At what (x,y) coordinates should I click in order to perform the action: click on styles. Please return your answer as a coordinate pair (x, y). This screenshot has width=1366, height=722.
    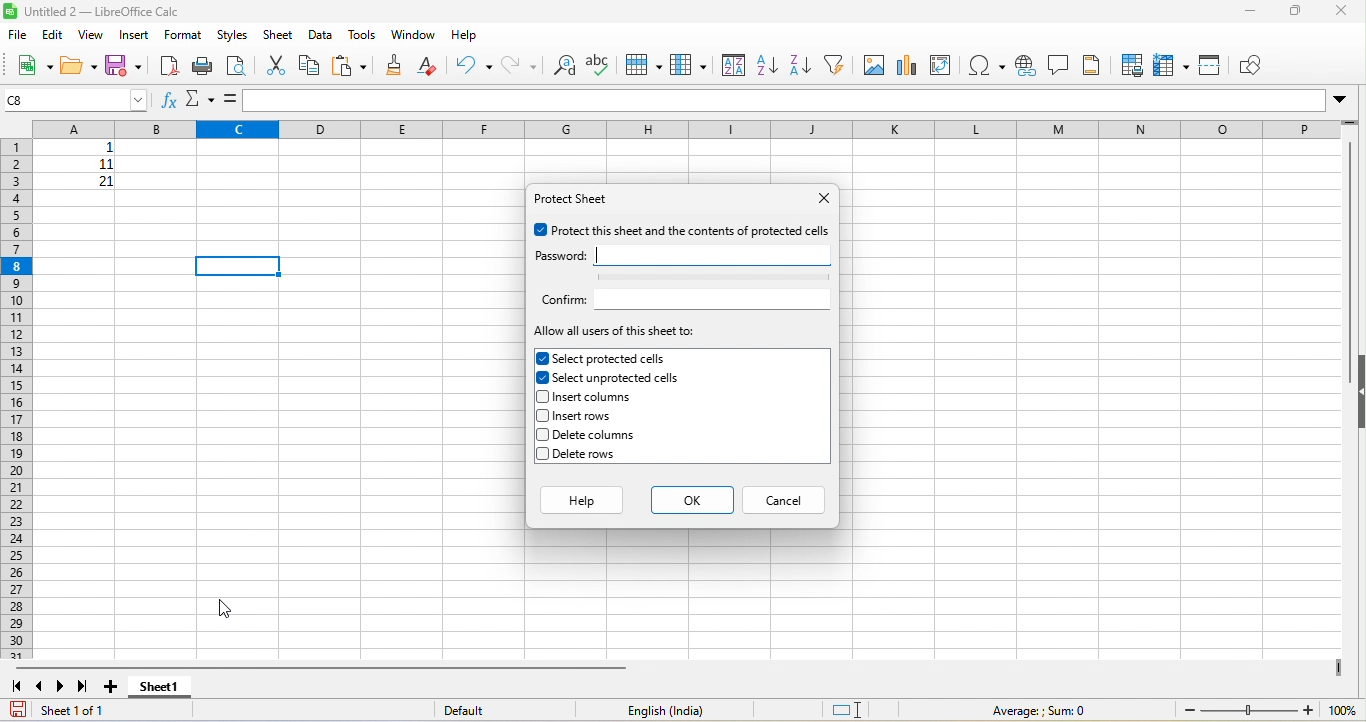
    Looking at the image, I should click on (233, 35).